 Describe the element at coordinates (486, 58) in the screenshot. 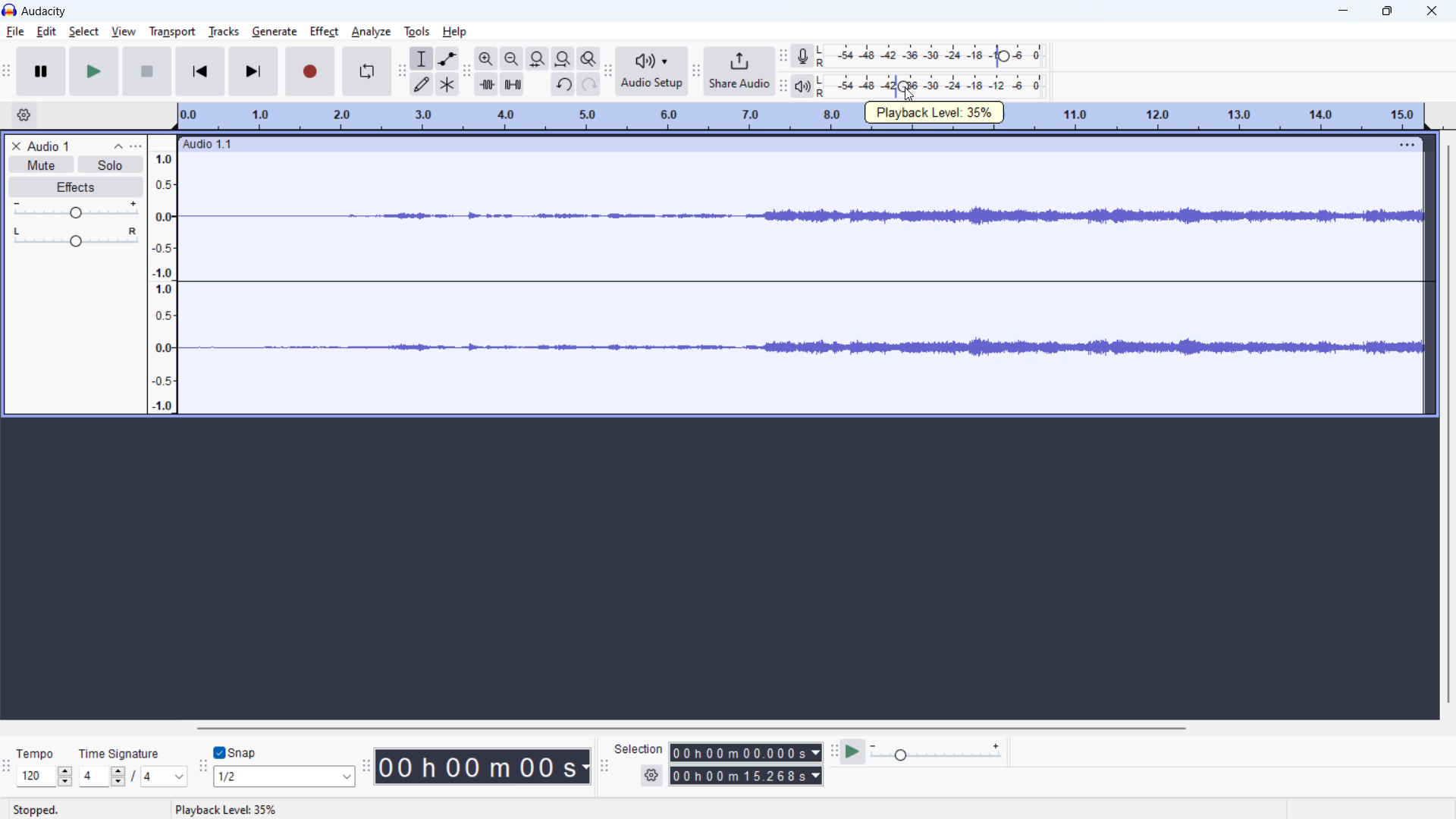

I see `zoom in` at that location.